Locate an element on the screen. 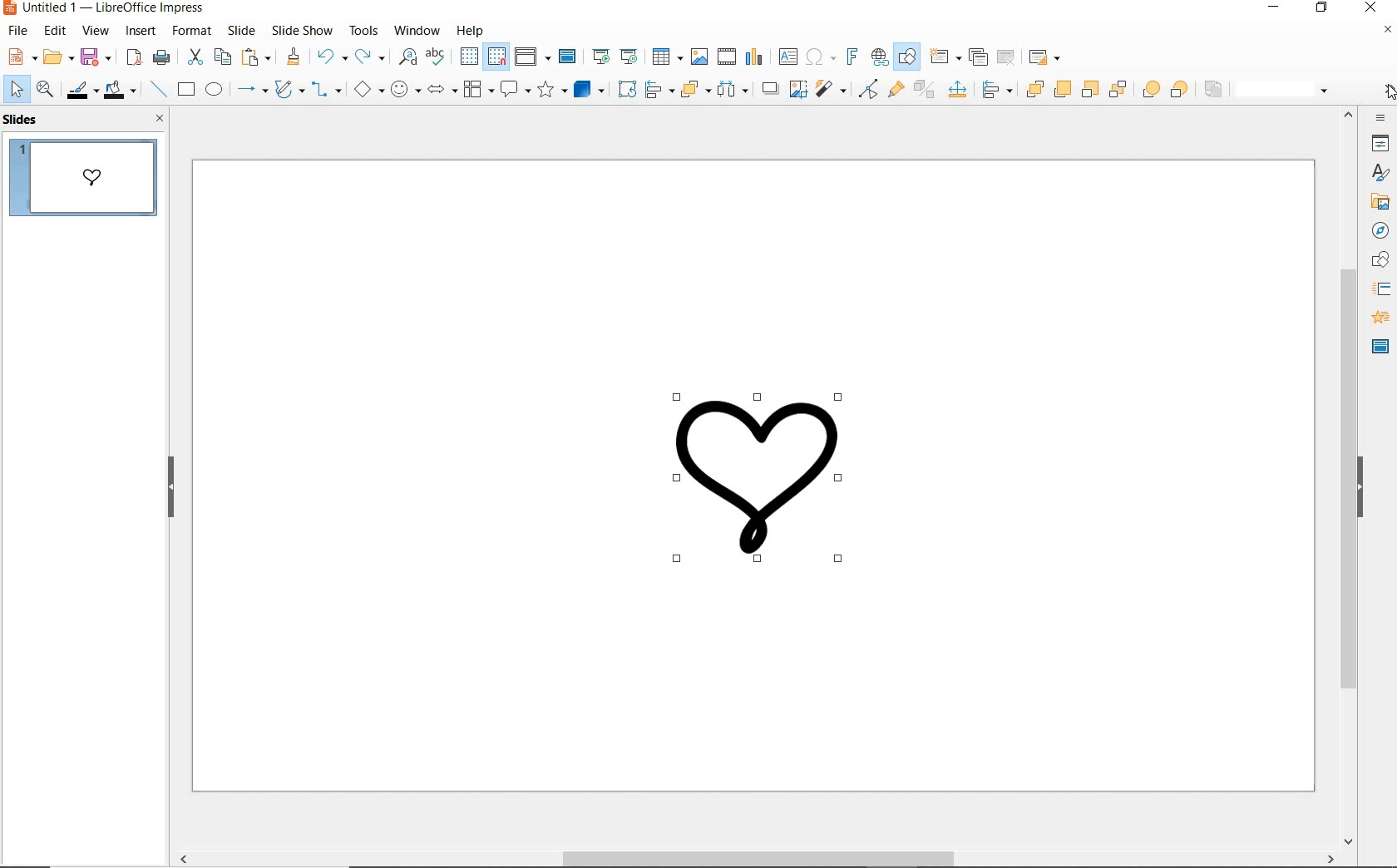  format is located at coordinates (192, 31).